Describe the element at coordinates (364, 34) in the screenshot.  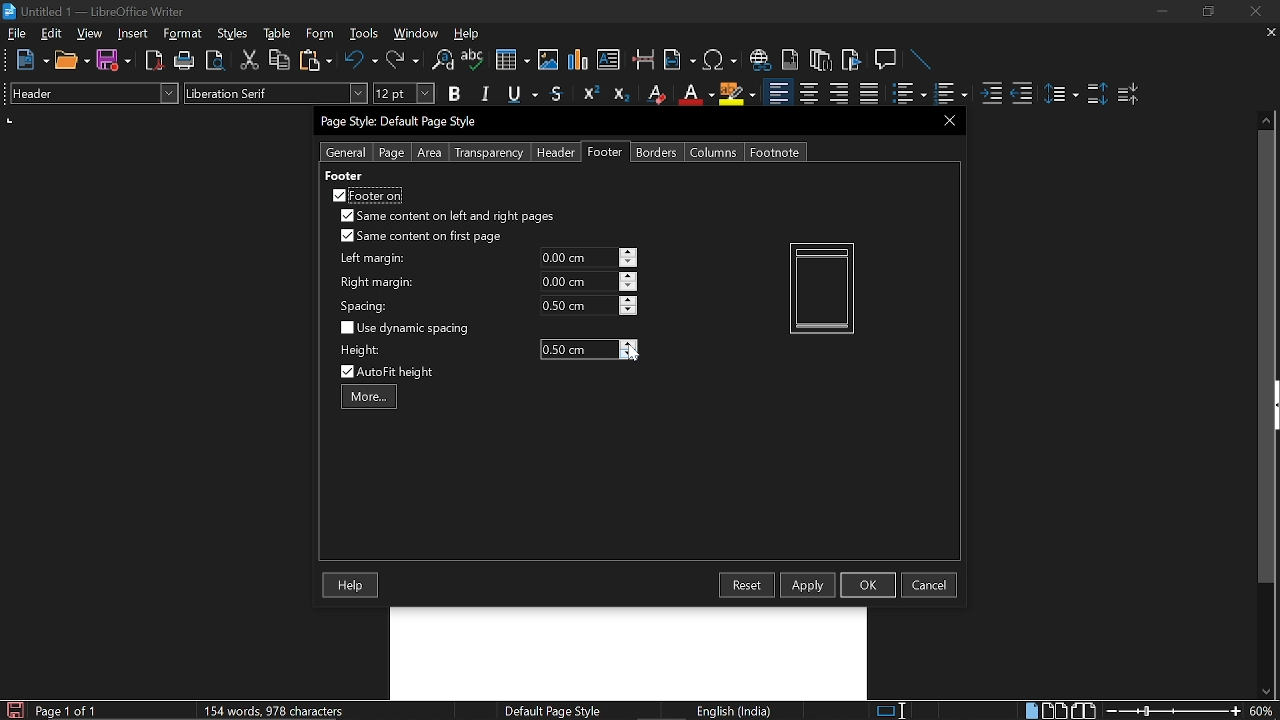
I see `Tools` at that location.